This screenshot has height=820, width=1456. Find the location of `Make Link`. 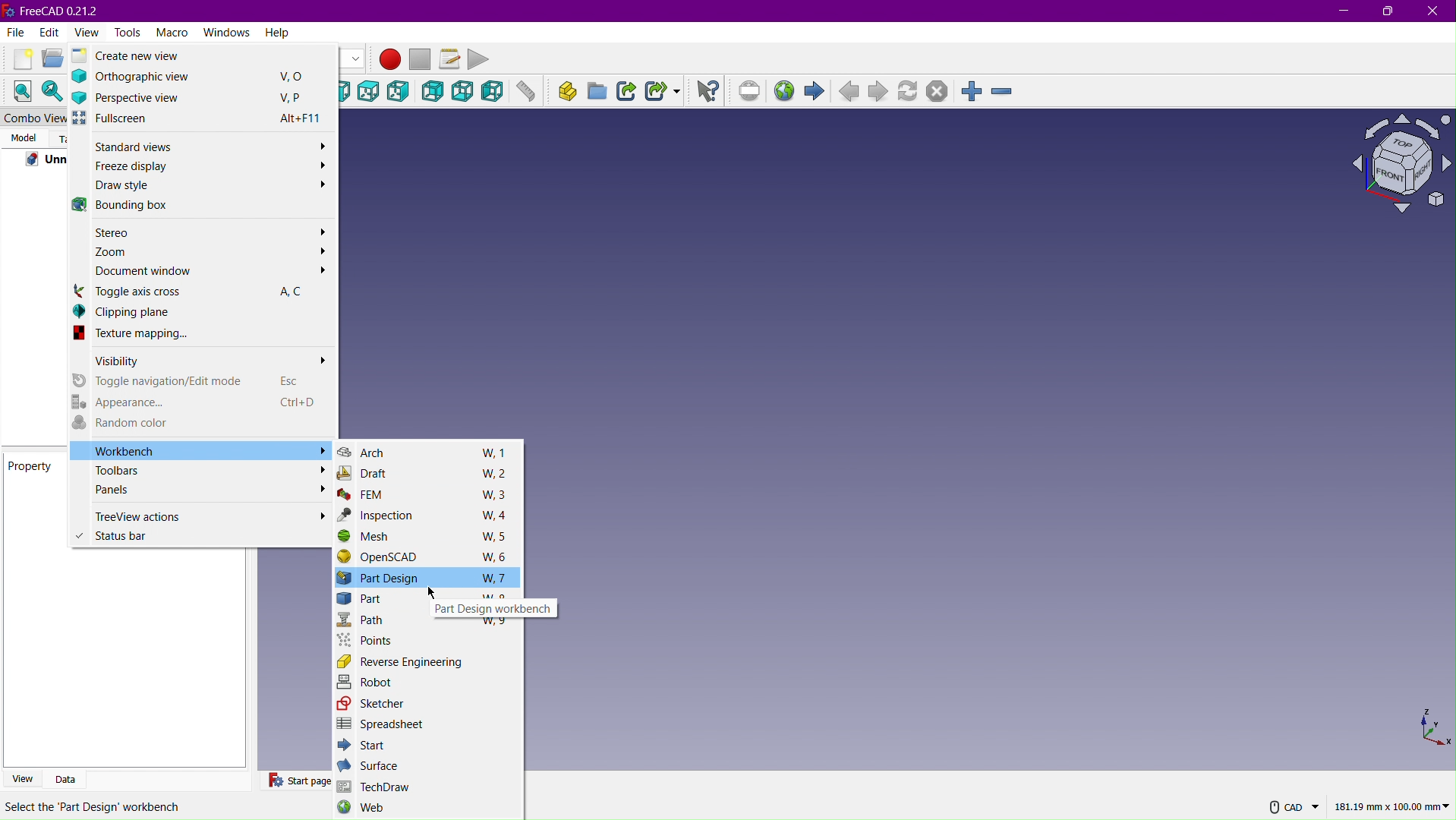

Make Link is located at coordinates (626, 95).